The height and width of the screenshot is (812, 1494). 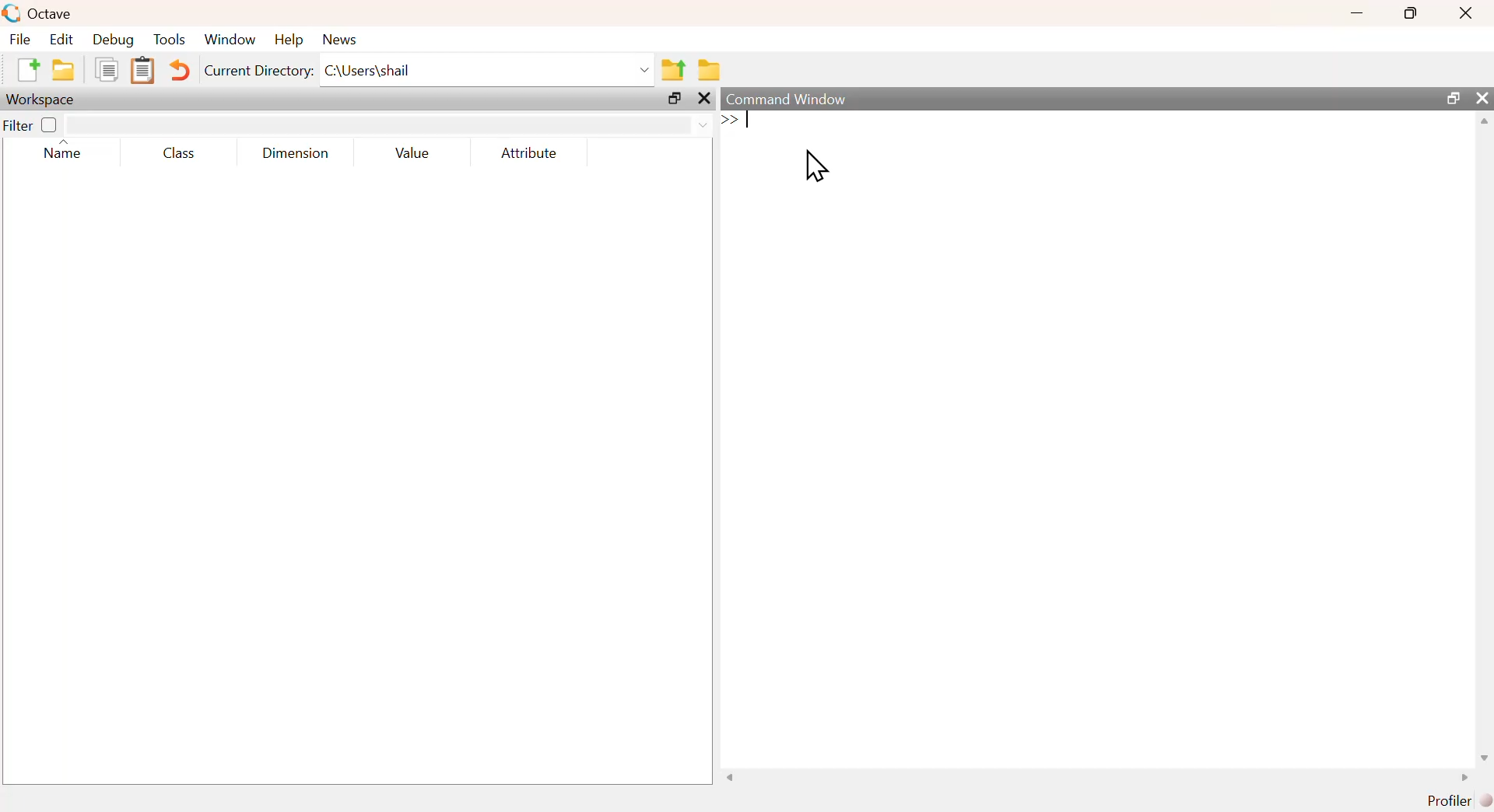 What do you see at coordinates (21, 40) in the screenshot?
I see `file` at bounding box center [21, 40].